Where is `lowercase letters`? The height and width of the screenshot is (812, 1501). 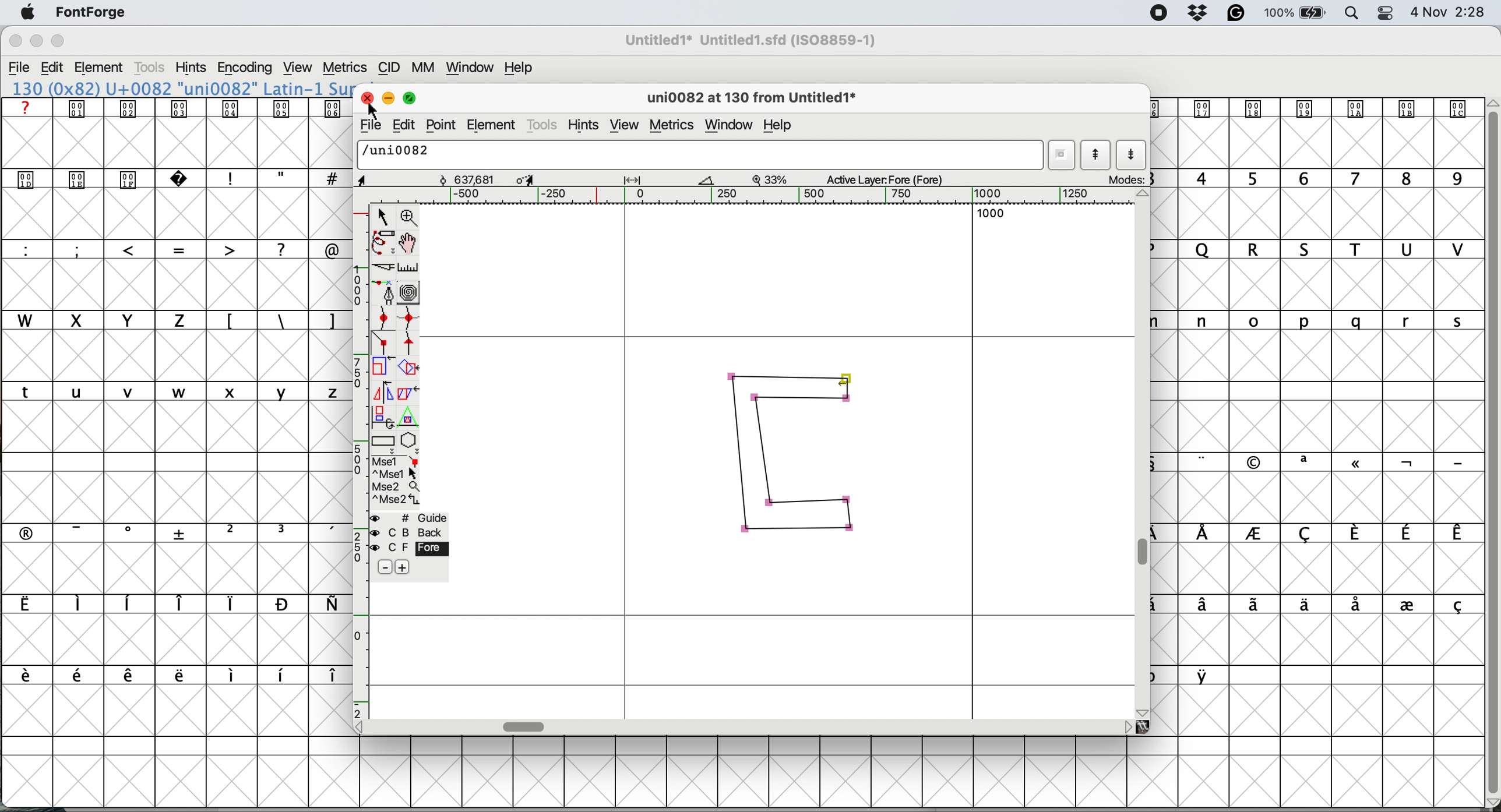
lowercase letters is located at coordinates (1327, 321).